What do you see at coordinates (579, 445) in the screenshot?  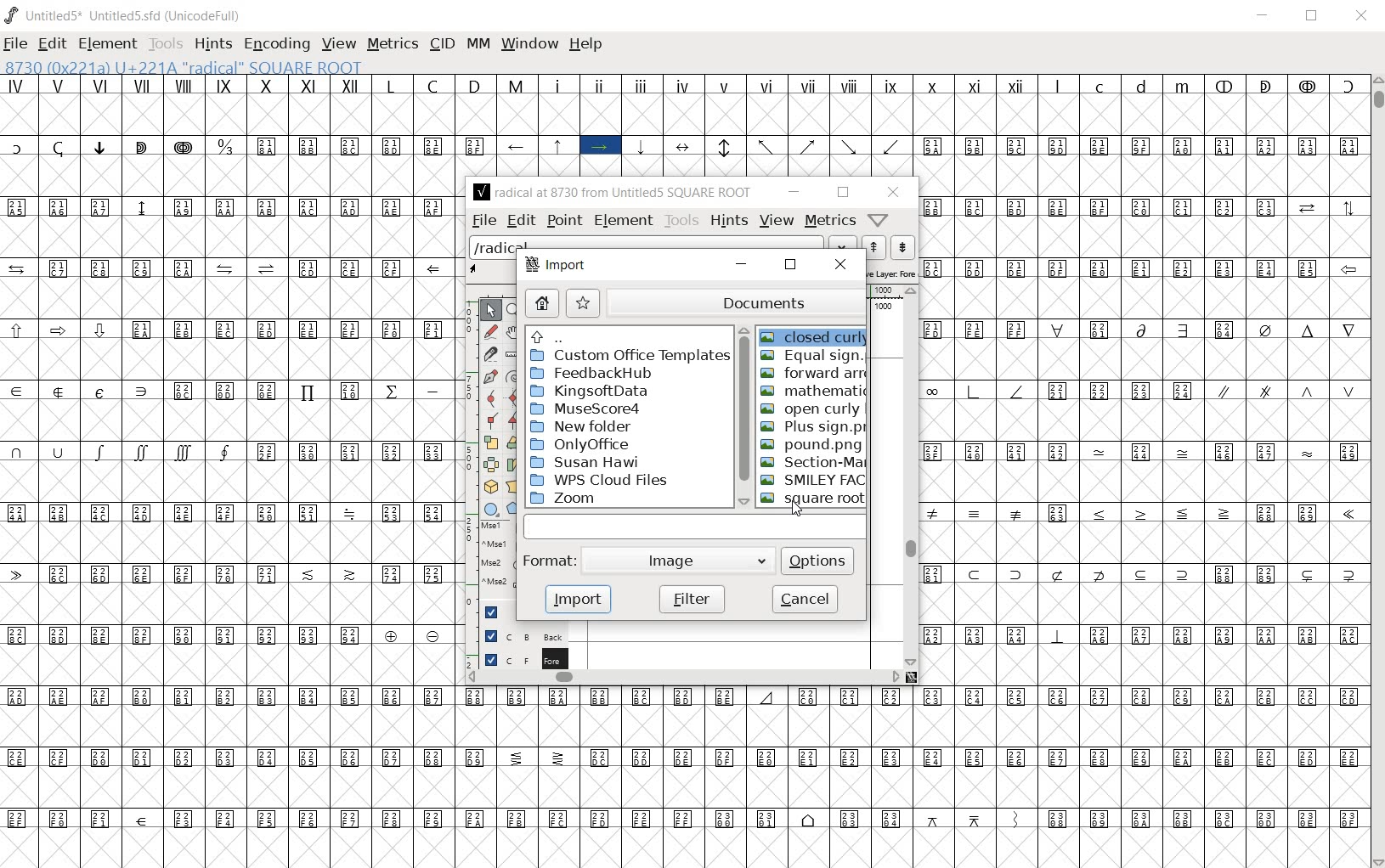 I see `OnlyOffice` at bounding box center [579, 445].